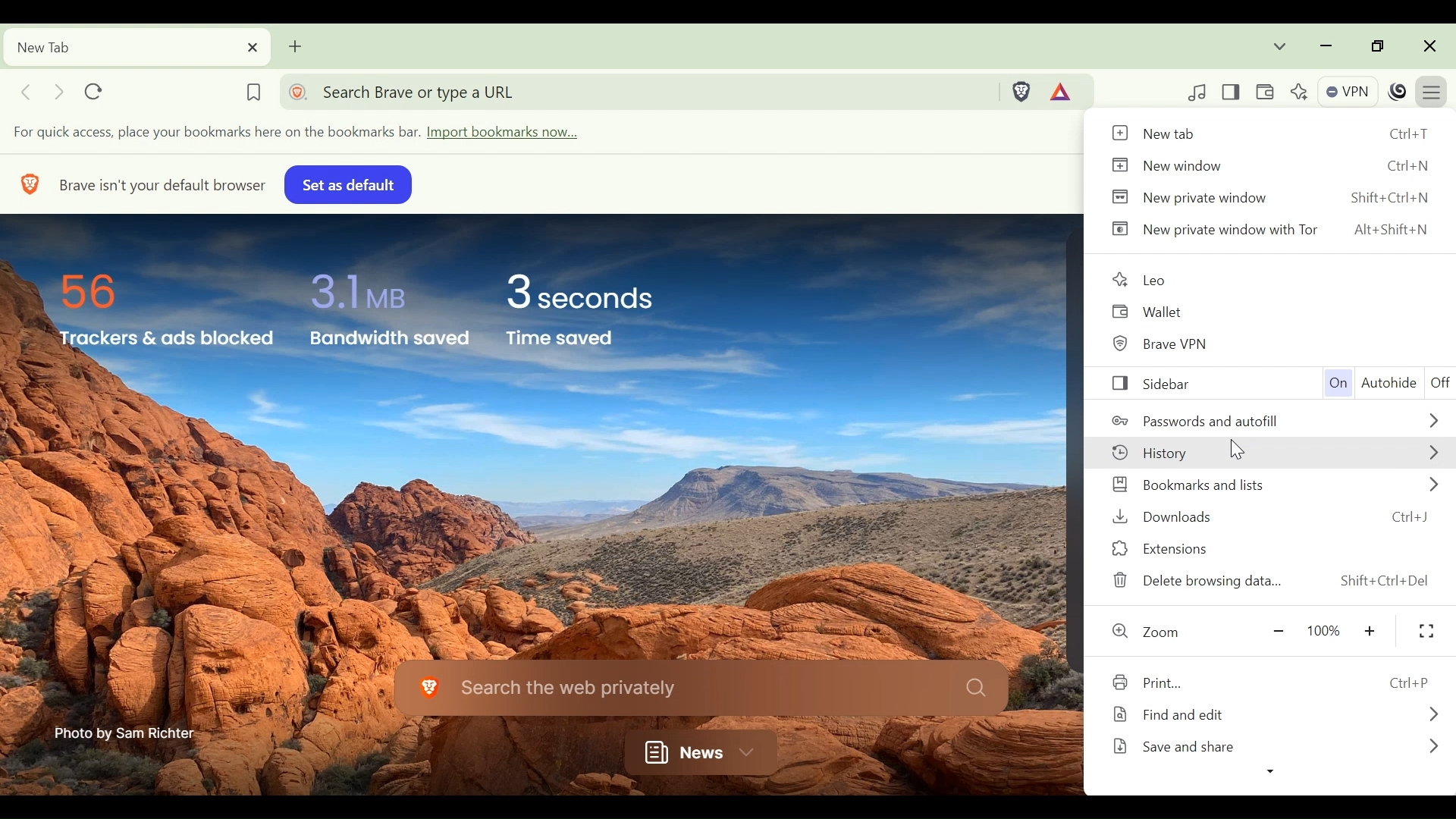  I want to click on 100%, so click(1326, 631).